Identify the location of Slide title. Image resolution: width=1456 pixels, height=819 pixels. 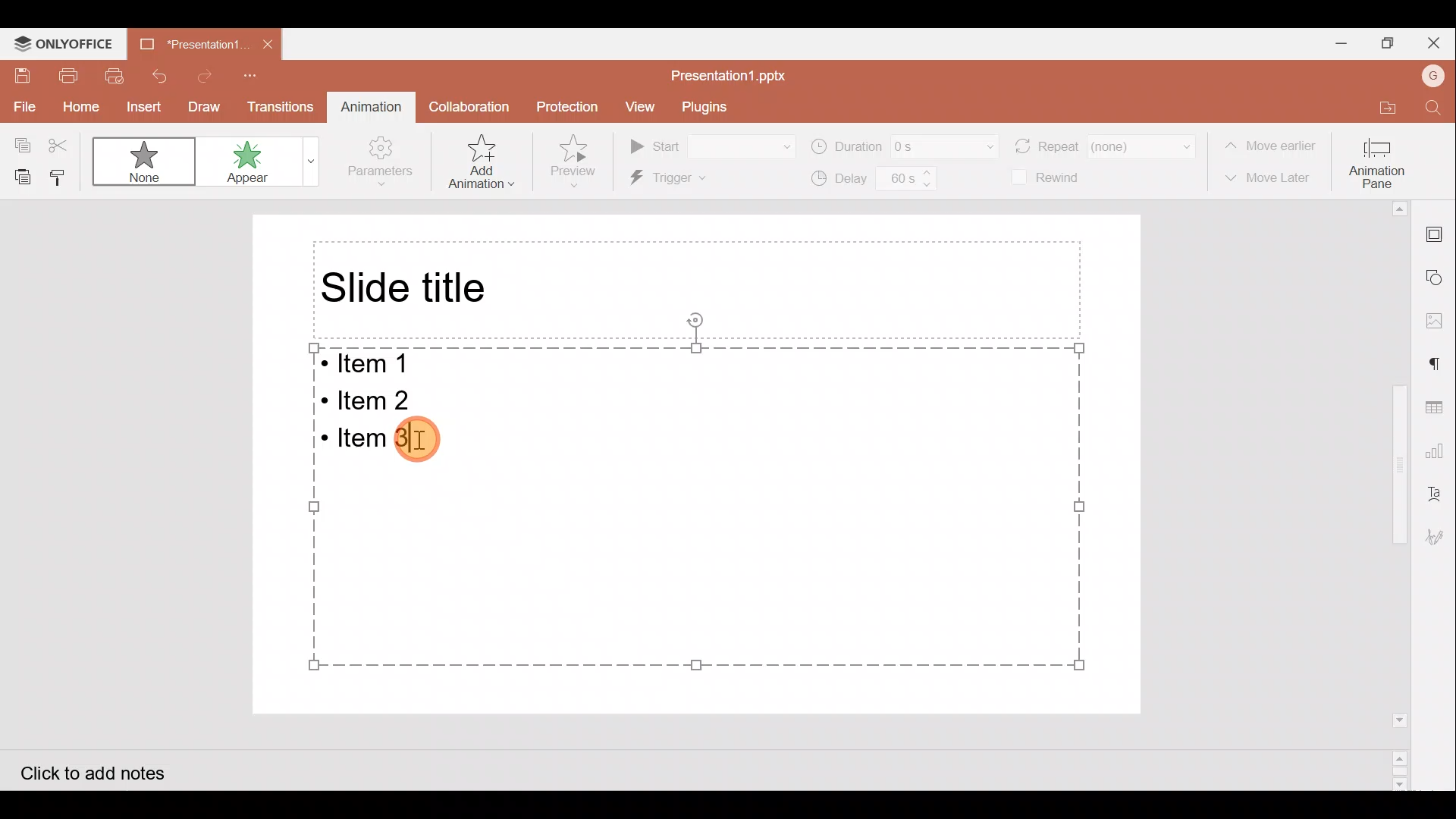
(409, 287).